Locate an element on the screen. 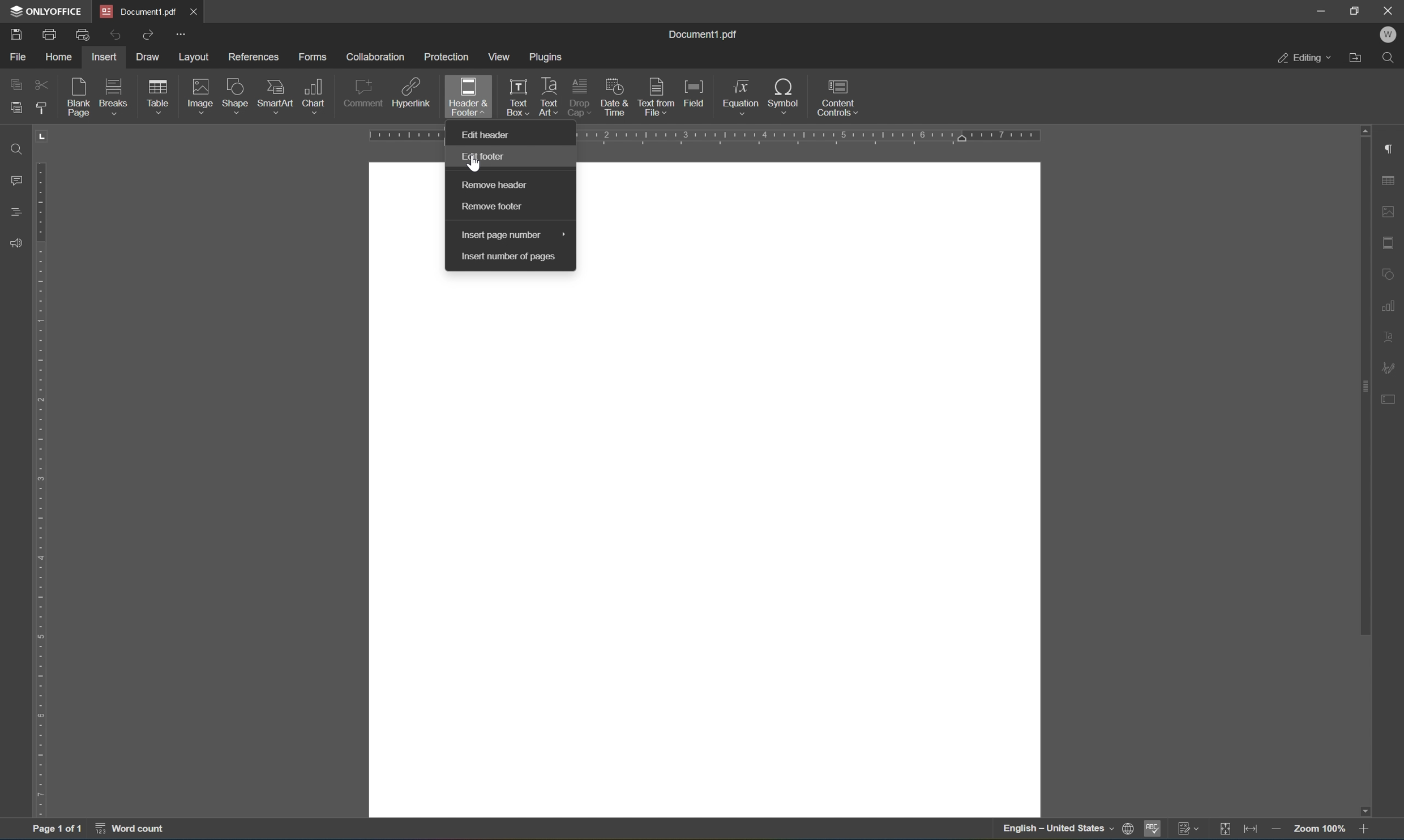 The height and width of the screenshot is (840, 1404). ruler is located at coordinates (41, 488).